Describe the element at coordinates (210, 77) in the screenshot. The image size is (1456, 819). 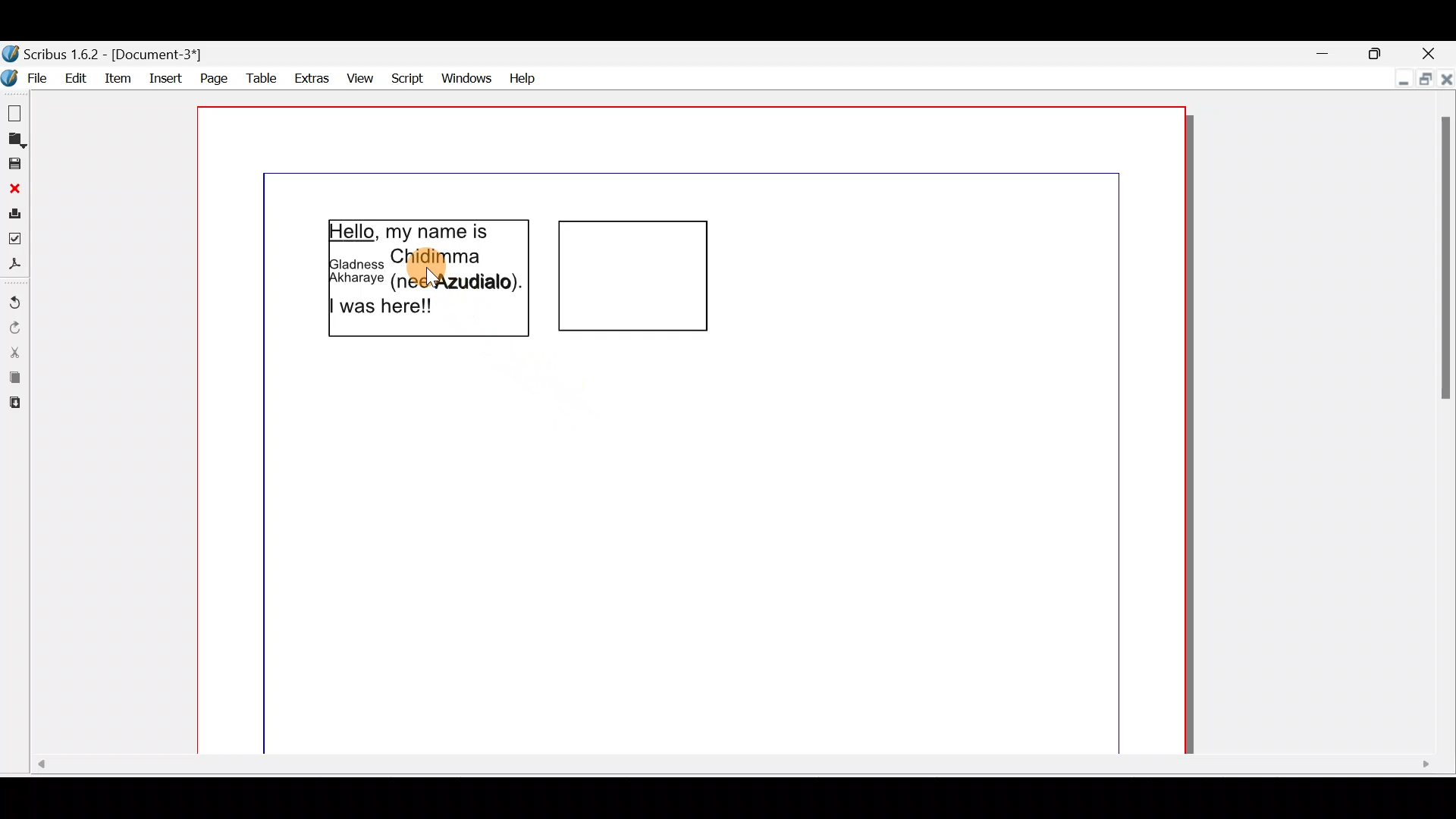
I see `Page` at that location.